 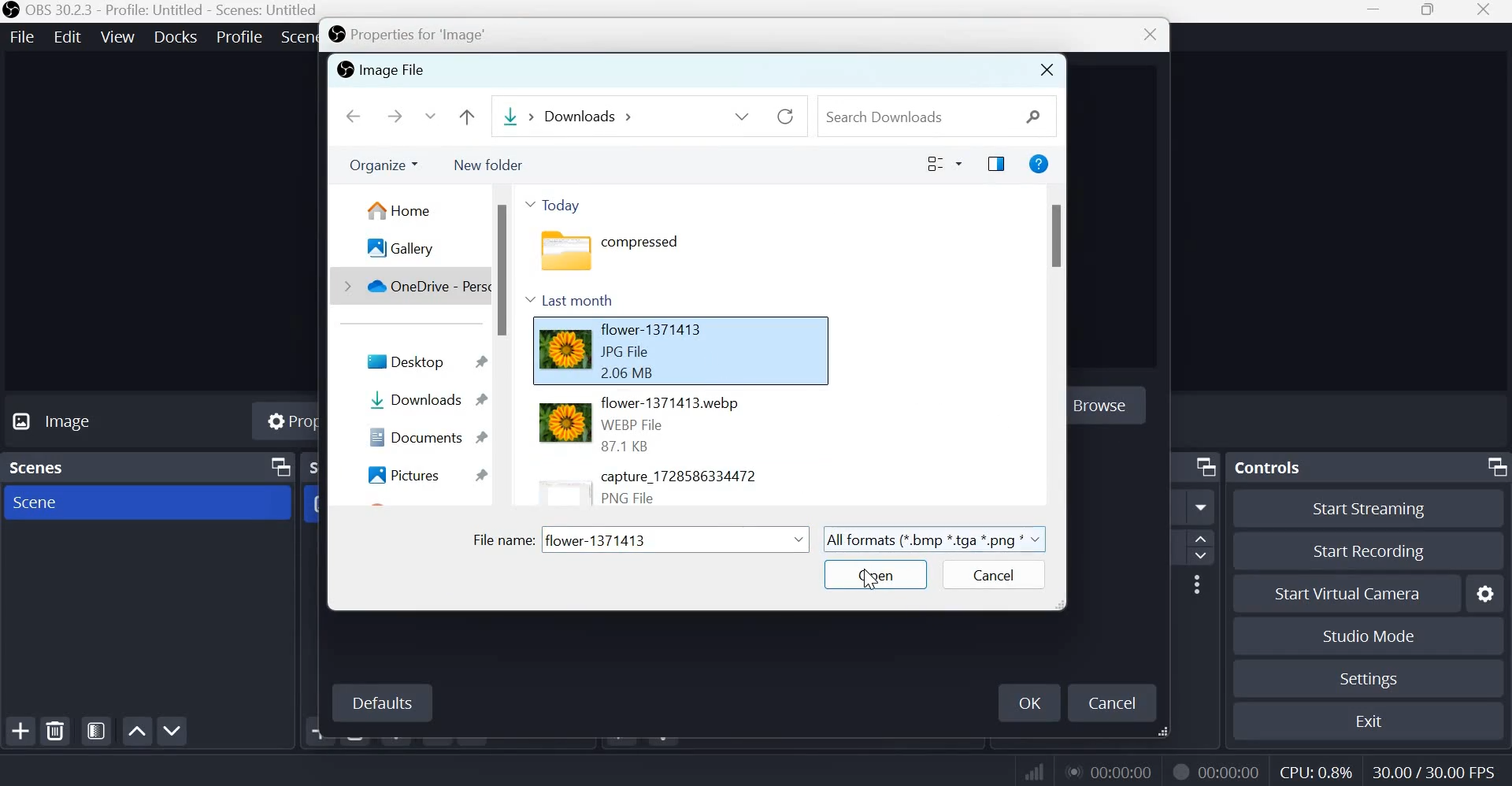 What do you see at coordinates (872, 576) in the screenshot?
I see `Open` at bounding box center [872, 576].